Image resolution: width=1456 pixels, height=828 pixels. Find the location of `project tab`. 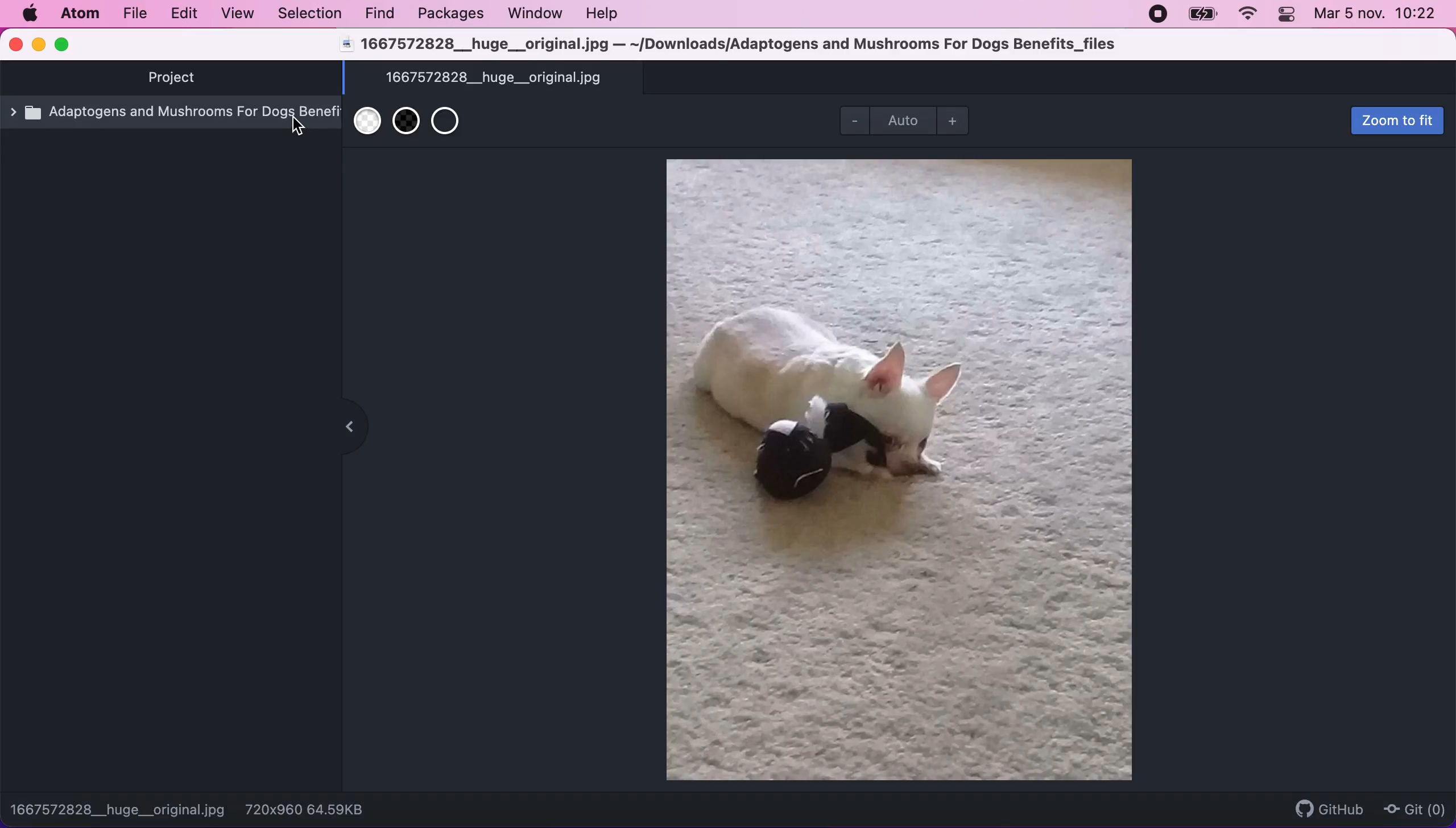

project tab is located at coordinates (176, 78).